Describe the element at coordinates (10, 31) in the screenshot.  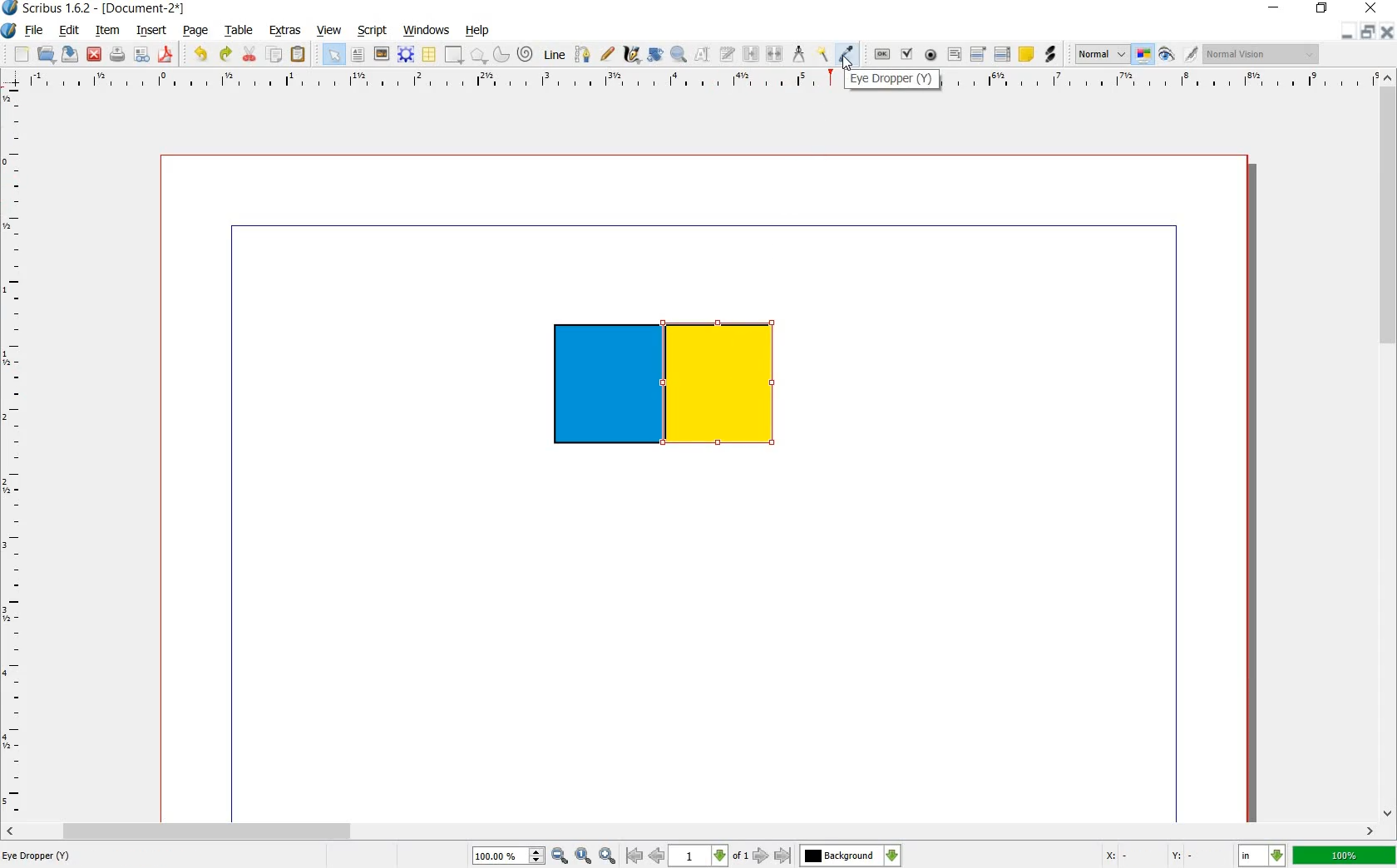
I see `system logo` at that location.